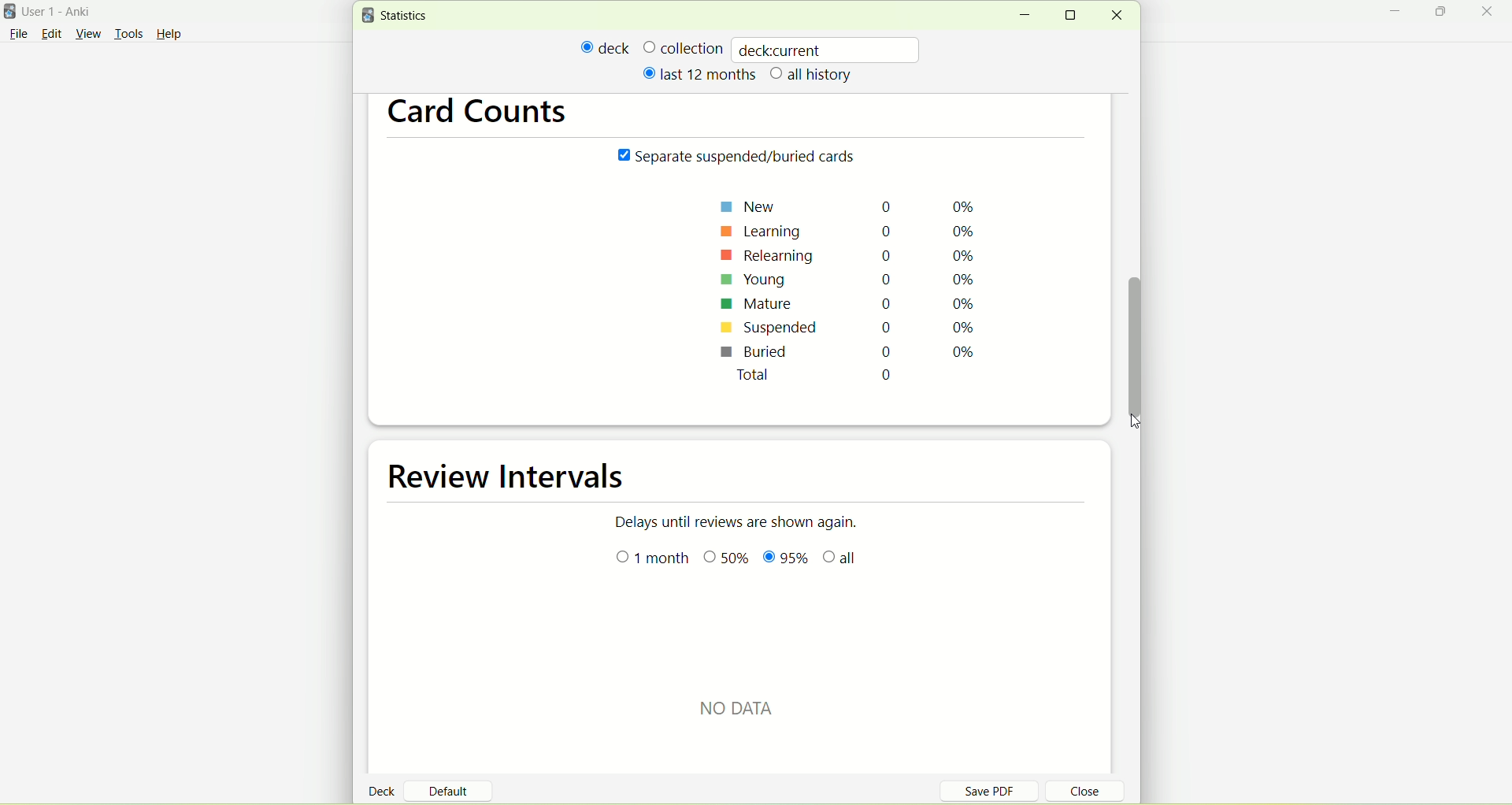 This screenshot has height=805, width=1512. What do you see at coordinates (169, 36) in the screenshot?
I see `Help` at bounding box center [169, 36].